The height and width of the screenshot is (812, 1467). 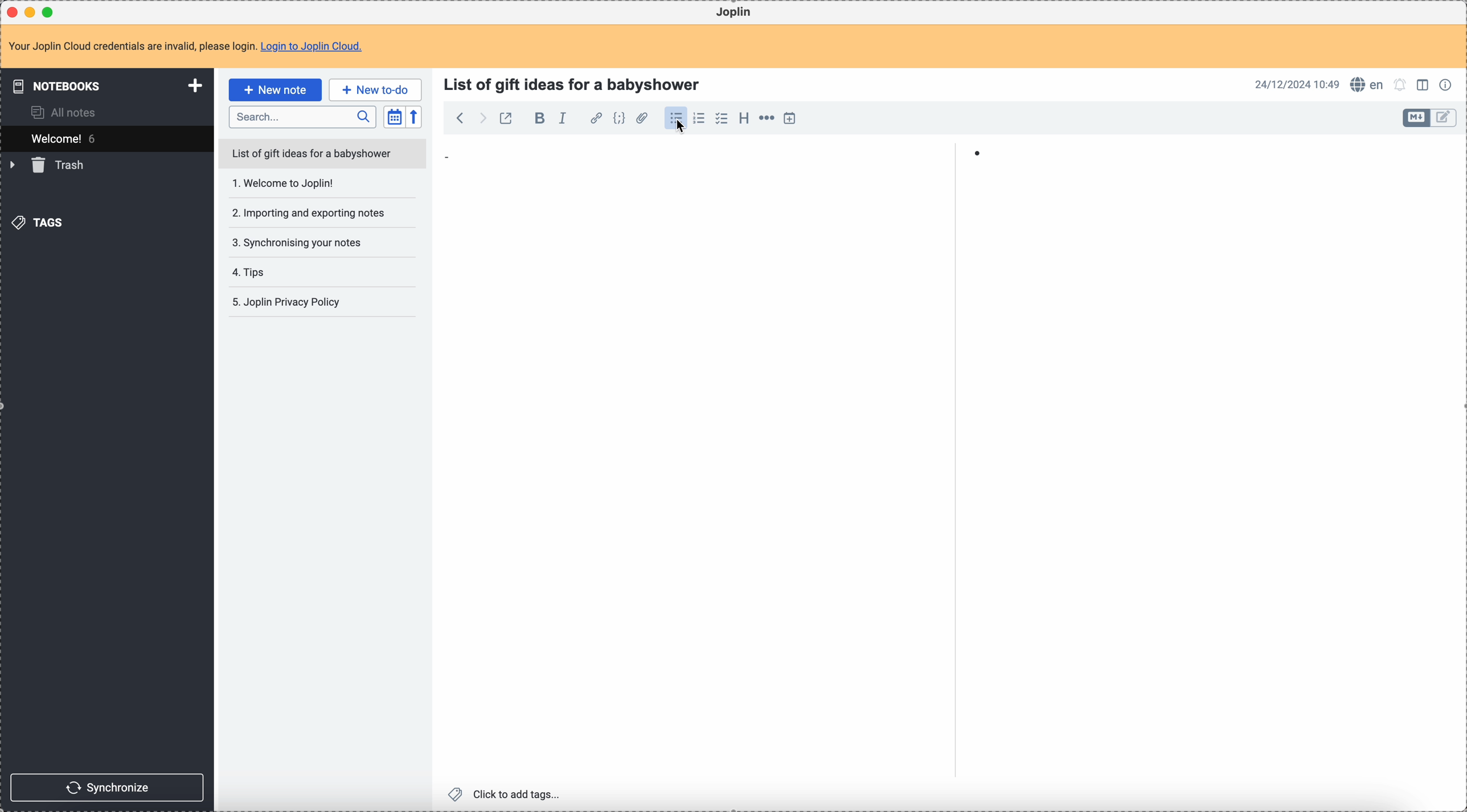 I want to click on all notes, so click(x=65, y=112).